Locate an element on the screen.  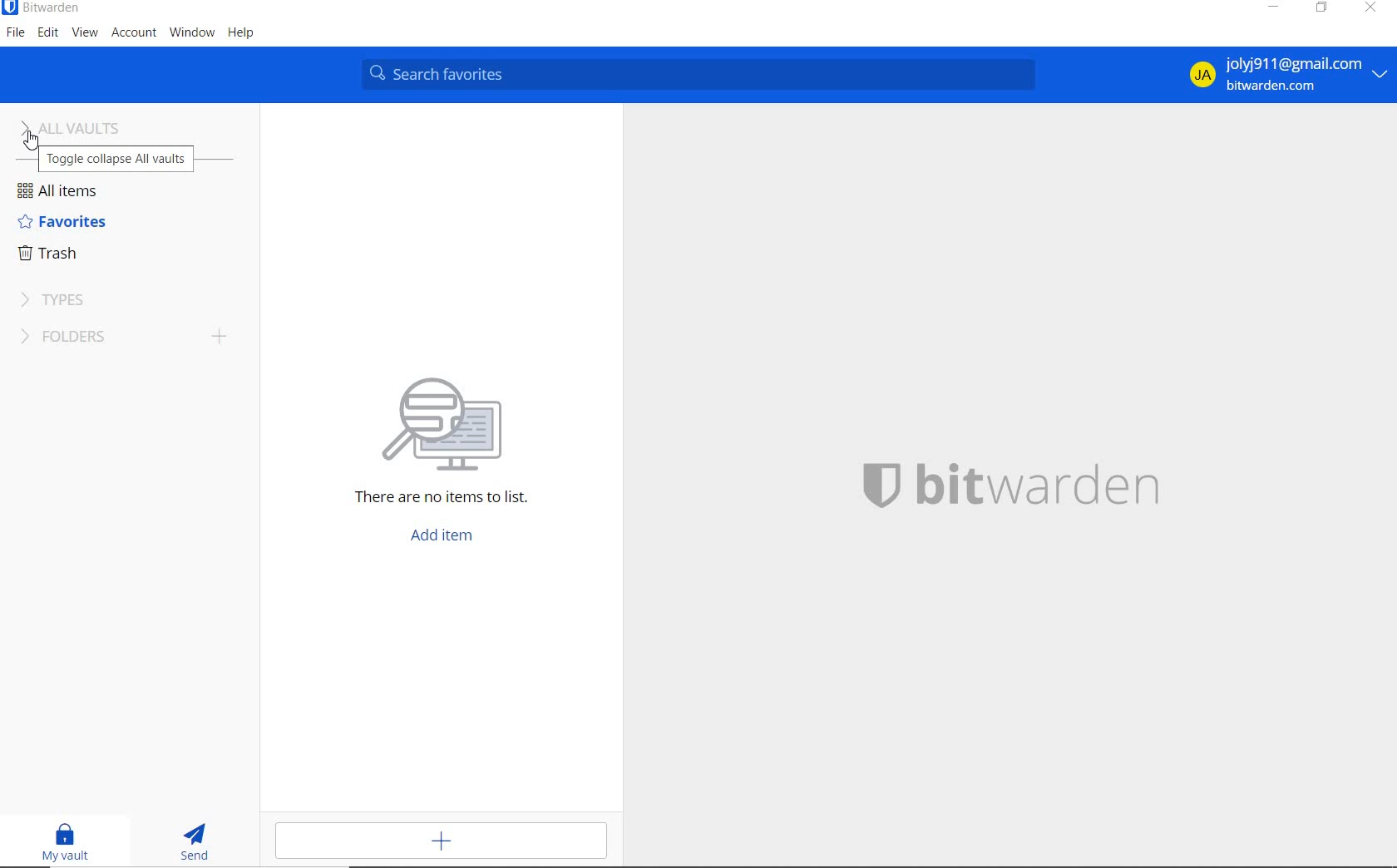
ADD ITEM is located at coordinates (447, 536).